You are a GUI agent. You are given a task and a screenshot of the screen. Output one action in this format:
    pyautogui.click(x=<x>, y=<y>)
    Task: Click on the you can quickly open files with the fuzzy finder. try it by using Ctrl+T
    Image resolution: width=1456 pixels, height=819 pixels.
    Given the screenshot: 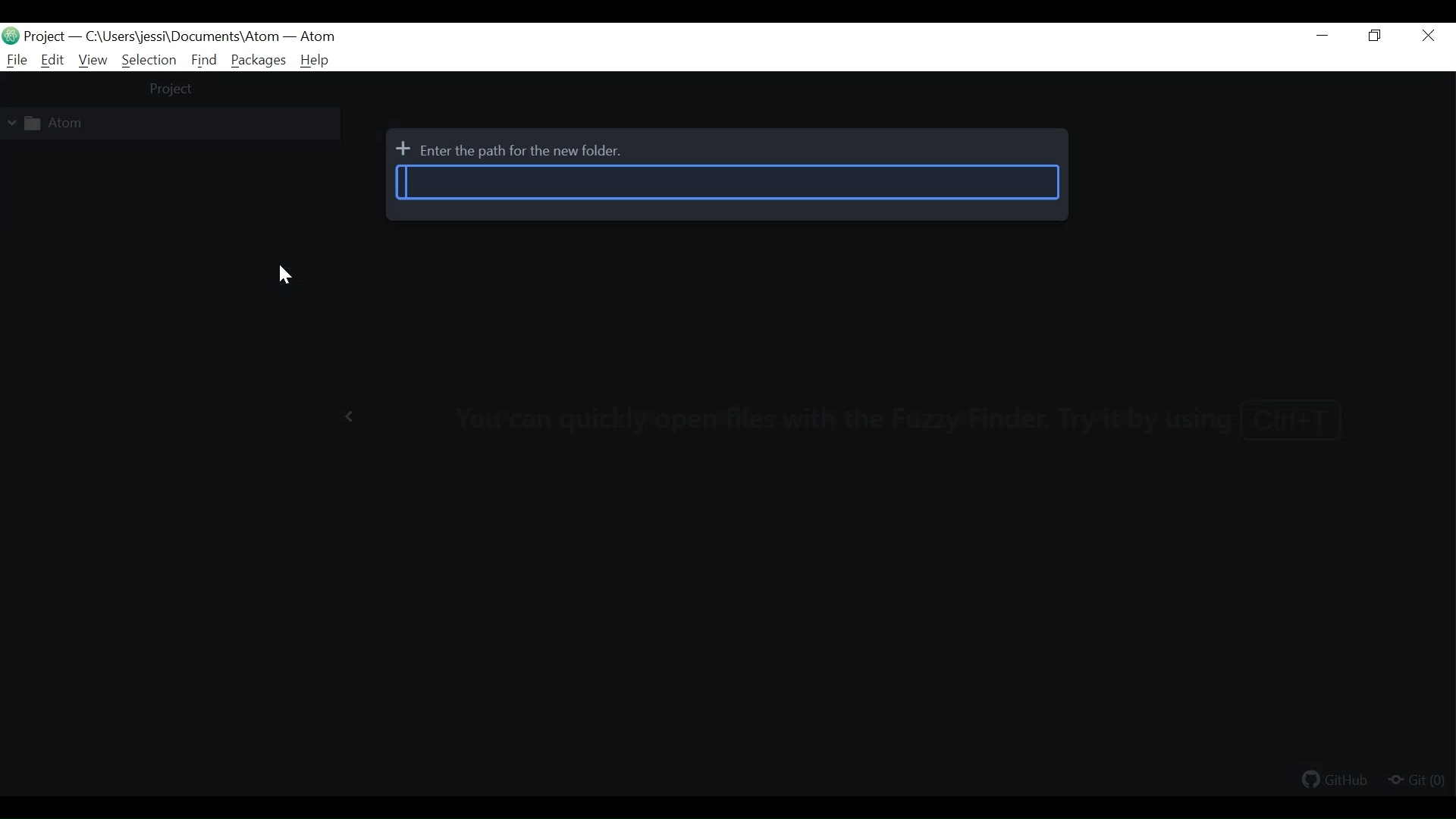 What is the action you would take?
    pyautogui.click(x=911, y=416)
    